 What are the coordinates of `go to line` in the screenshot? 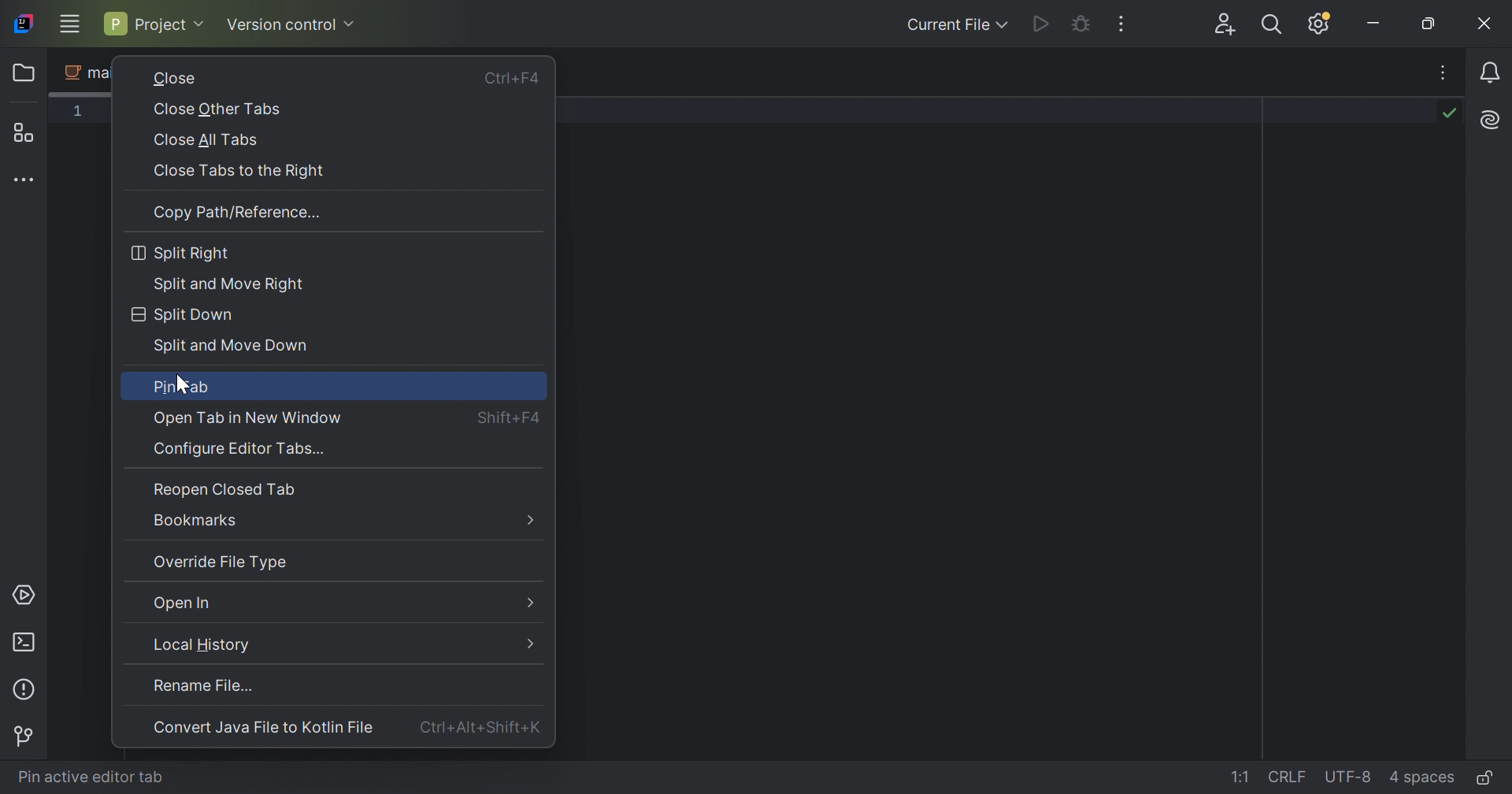 It's located at (1242, 777).